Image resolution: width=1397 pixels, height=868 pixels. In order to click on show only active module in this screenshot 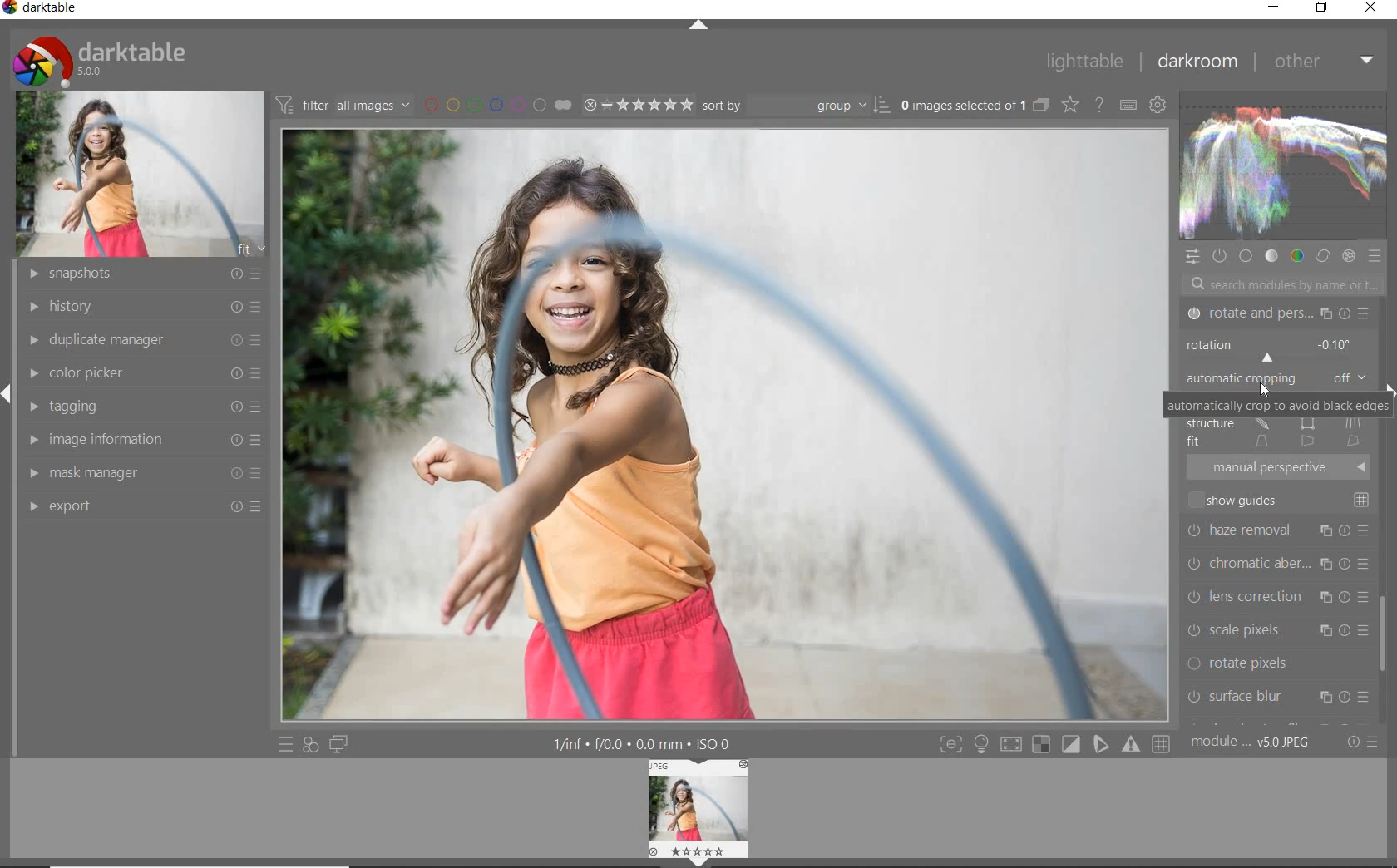, I will do `click(1218, 254)`.